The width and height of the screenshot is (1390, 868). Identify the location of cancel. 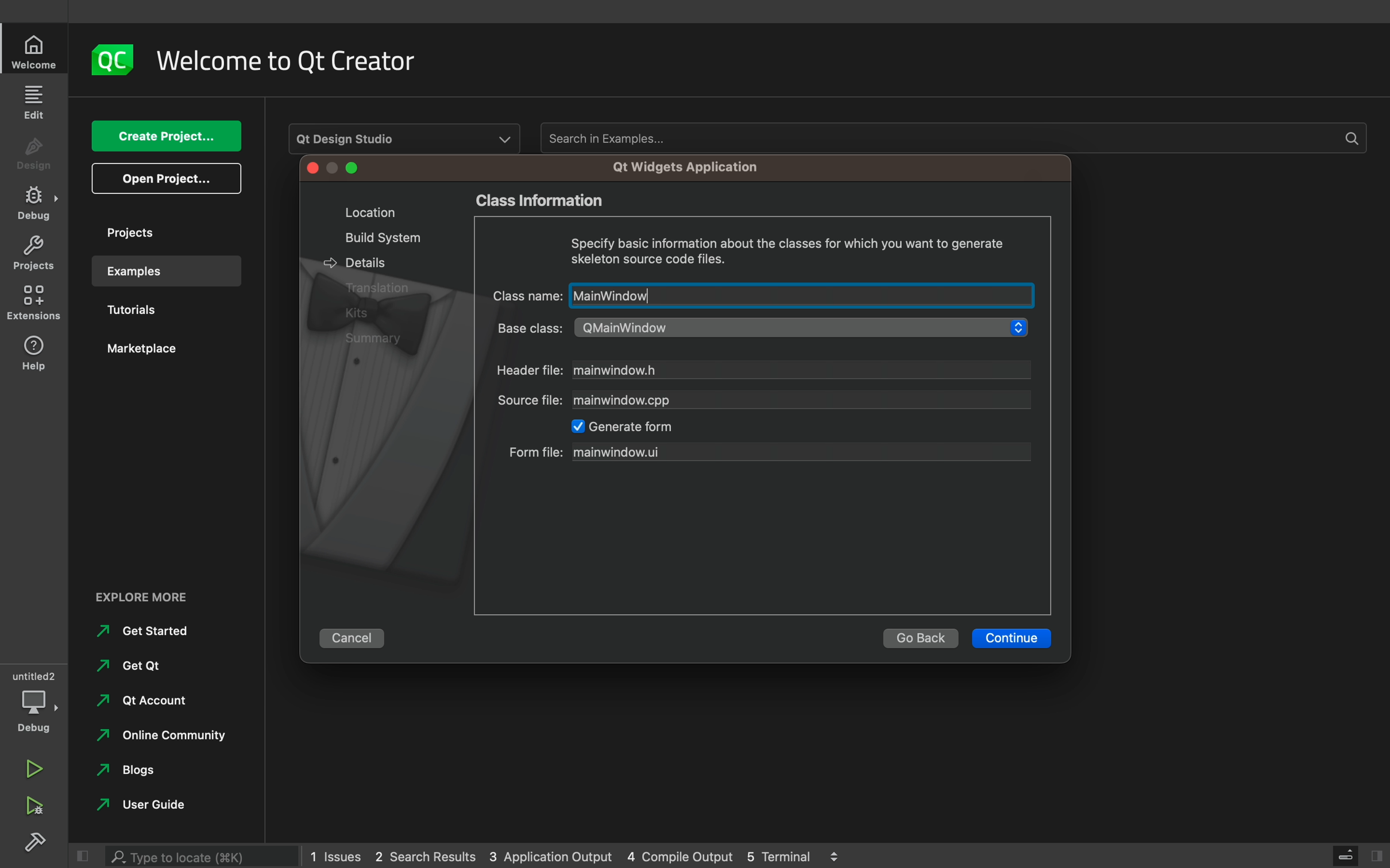
(357, 635).